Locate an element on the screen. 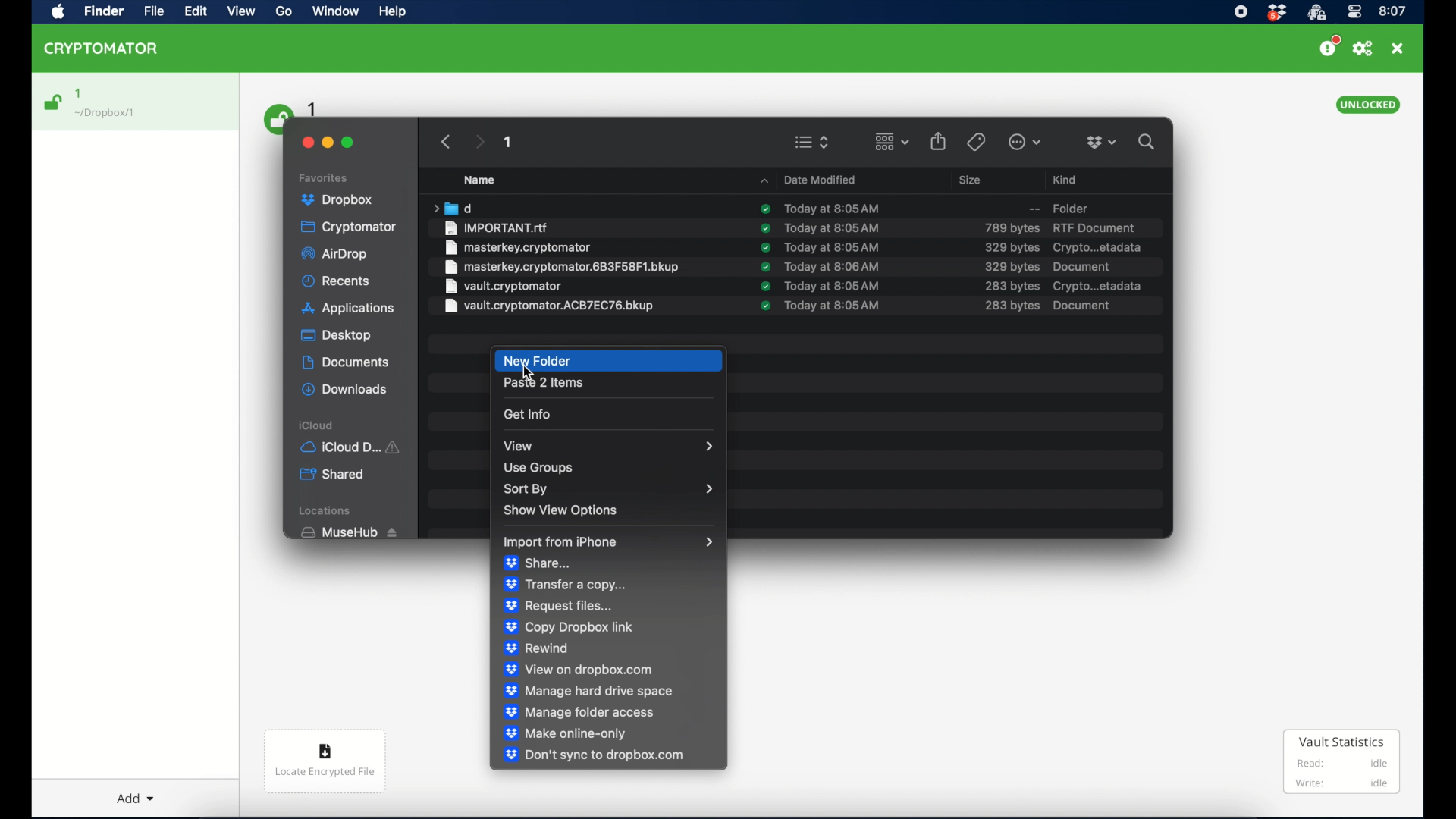 This screenshot has height=819, width=1456. show view options is located at coordinates (562, 512).